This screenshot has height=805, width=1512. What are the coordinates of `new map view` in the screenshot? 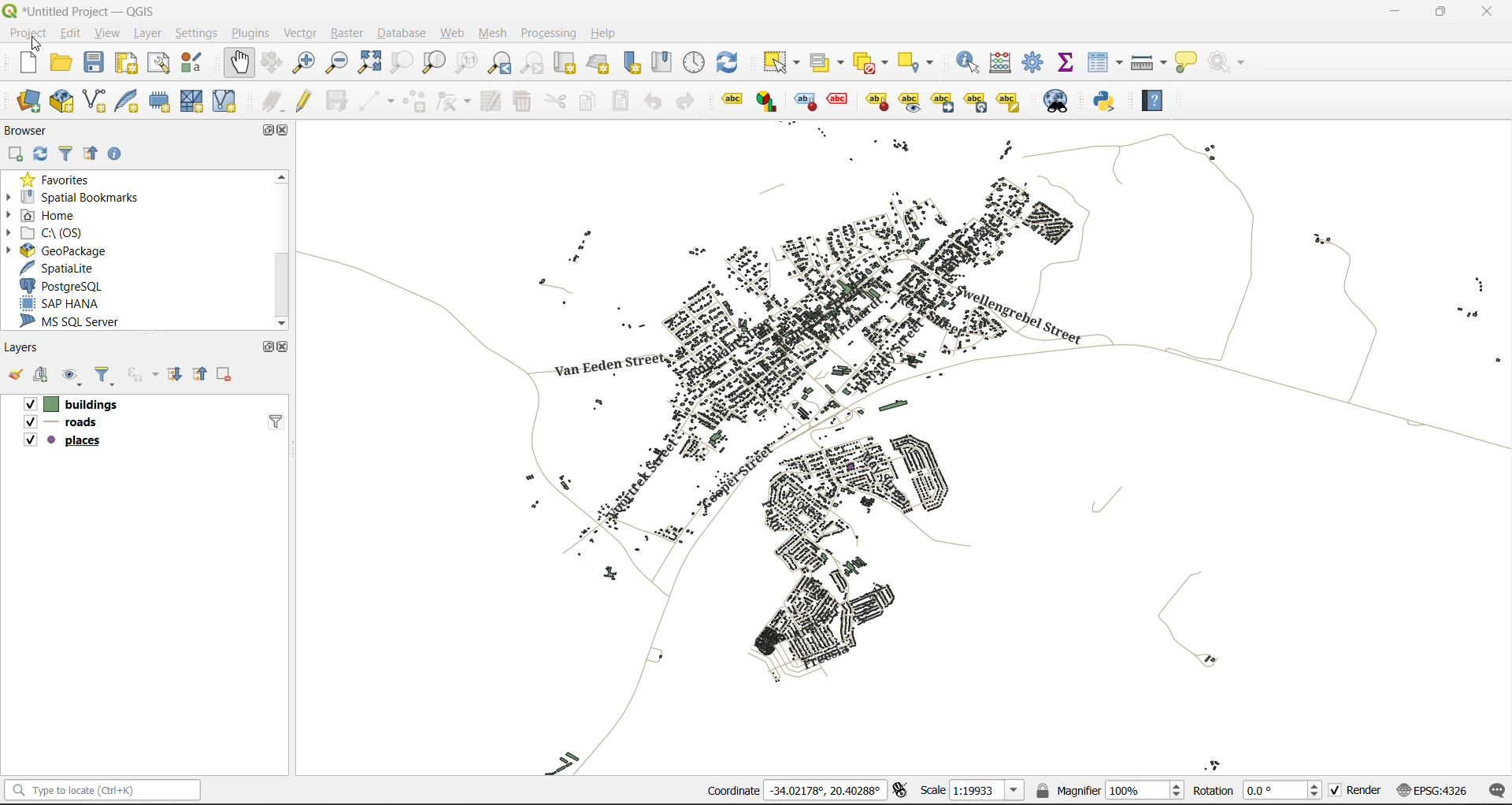 It's located at (563, 62).